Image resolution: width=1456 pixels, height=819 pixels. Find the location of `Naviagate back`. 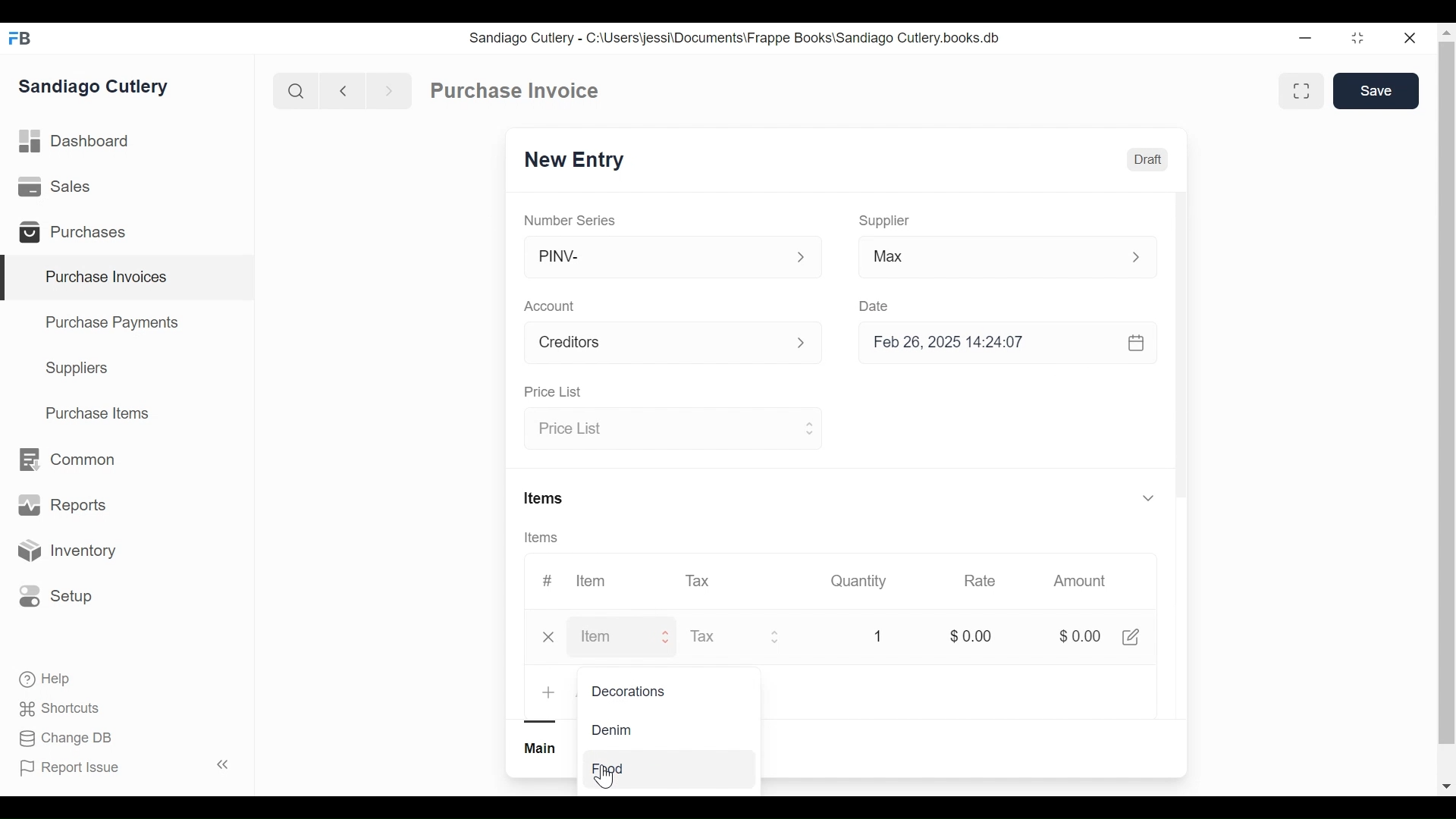

Naviagate back is located at coordinates (344, 89).